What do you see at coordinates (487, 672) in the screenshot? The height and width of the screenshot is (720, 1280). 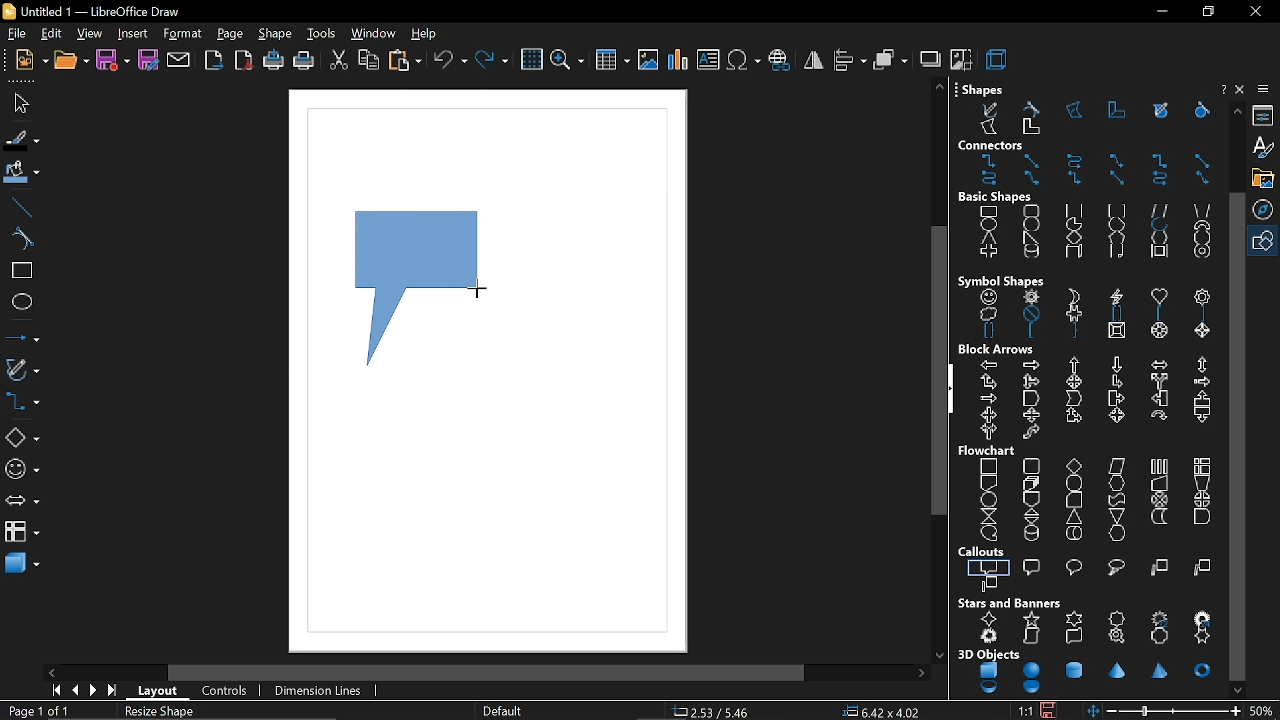 I see `horizontal scroll bar` at bounding box center [487, 672].